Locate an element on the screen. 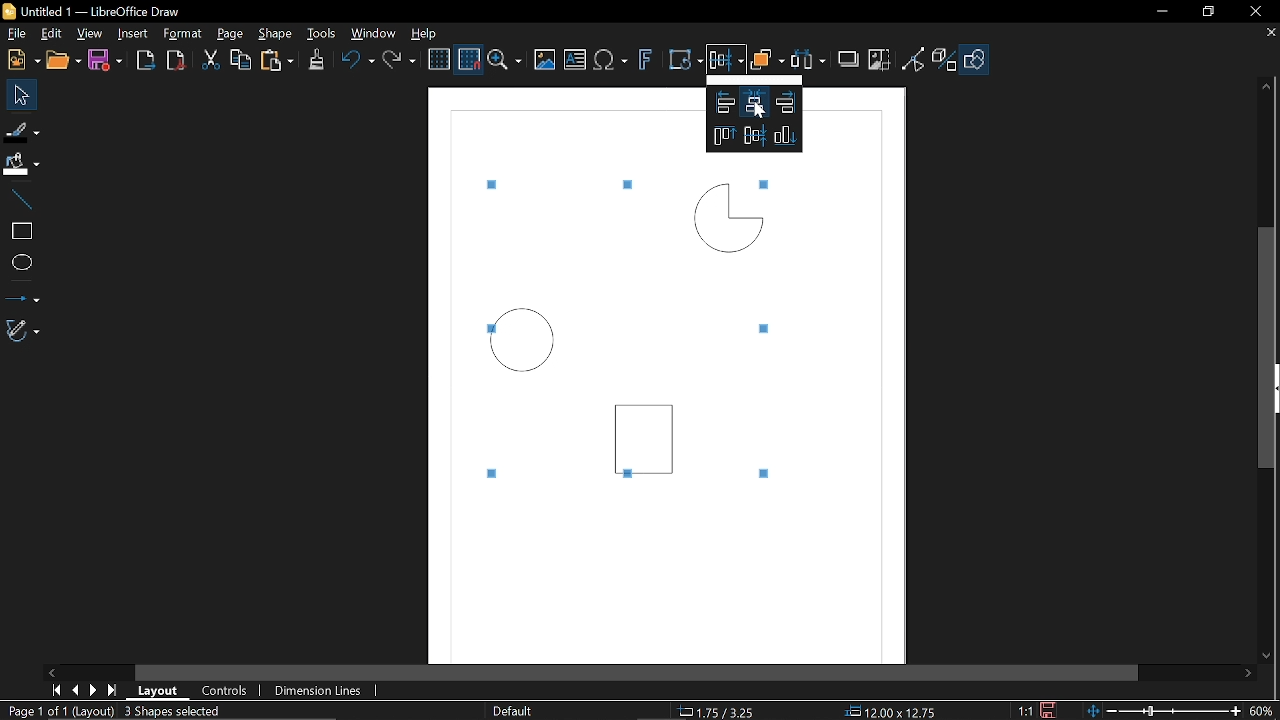  Controls is located at coordinates (225, 690).